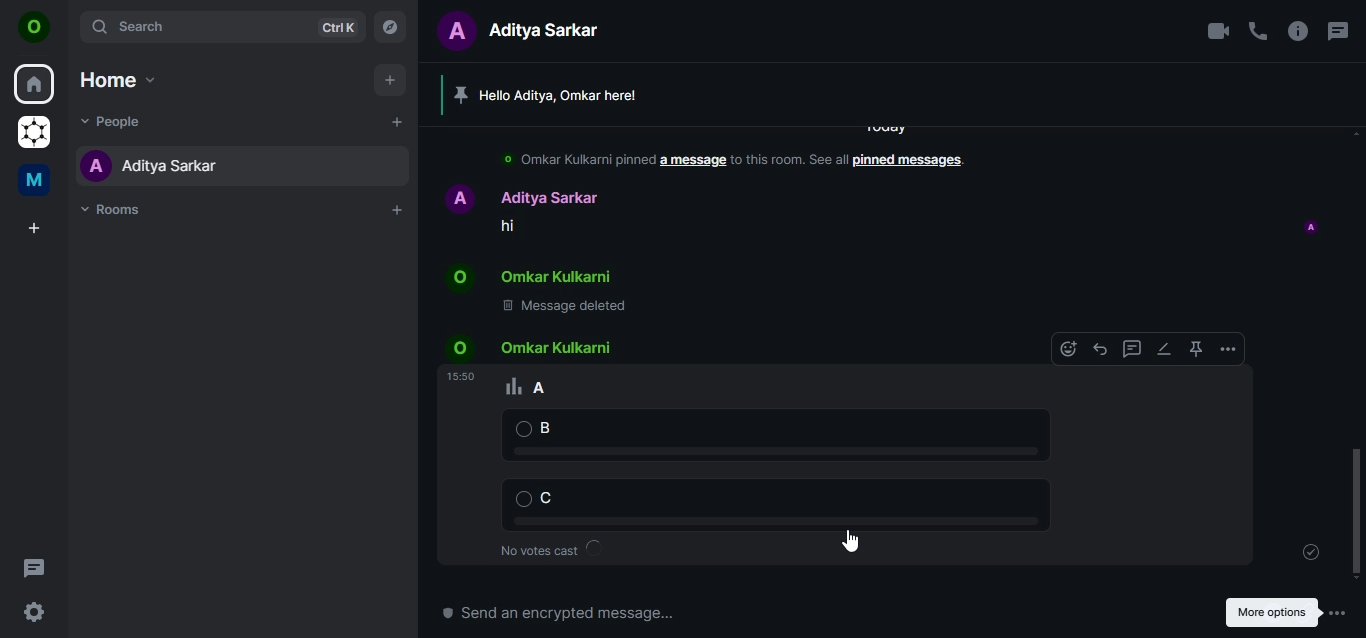 Image resolution: width=1366 pixels, height=638 pixels. Describe the element at coordinates (539, 384) in the screenshot. I see `A` at that location.